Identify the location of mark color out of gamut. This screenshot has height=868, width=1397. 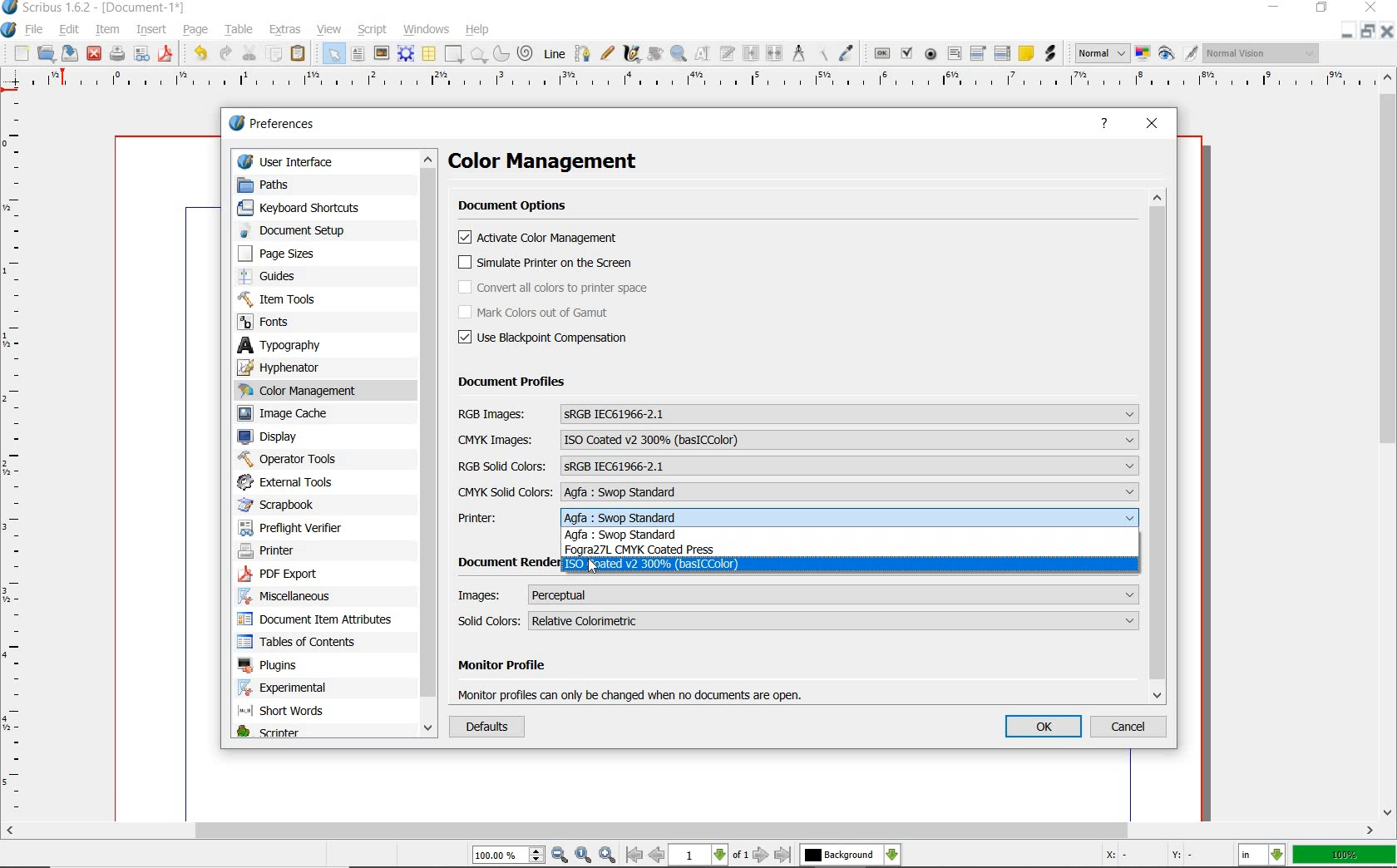
(553, 313).